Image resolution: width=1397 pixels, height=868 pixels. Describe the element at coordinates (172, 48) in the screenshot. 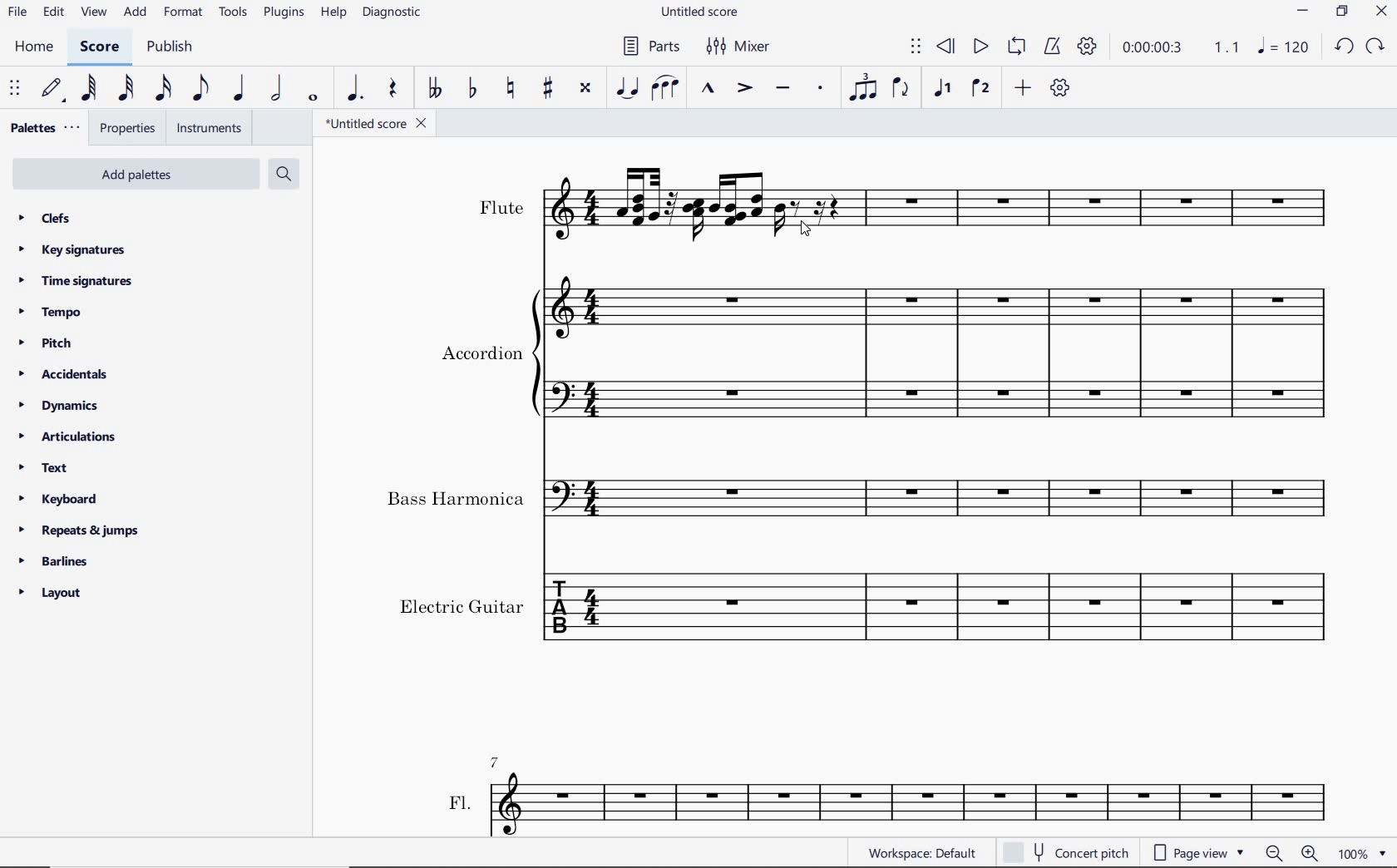

I see `PUBLISH` at that location.